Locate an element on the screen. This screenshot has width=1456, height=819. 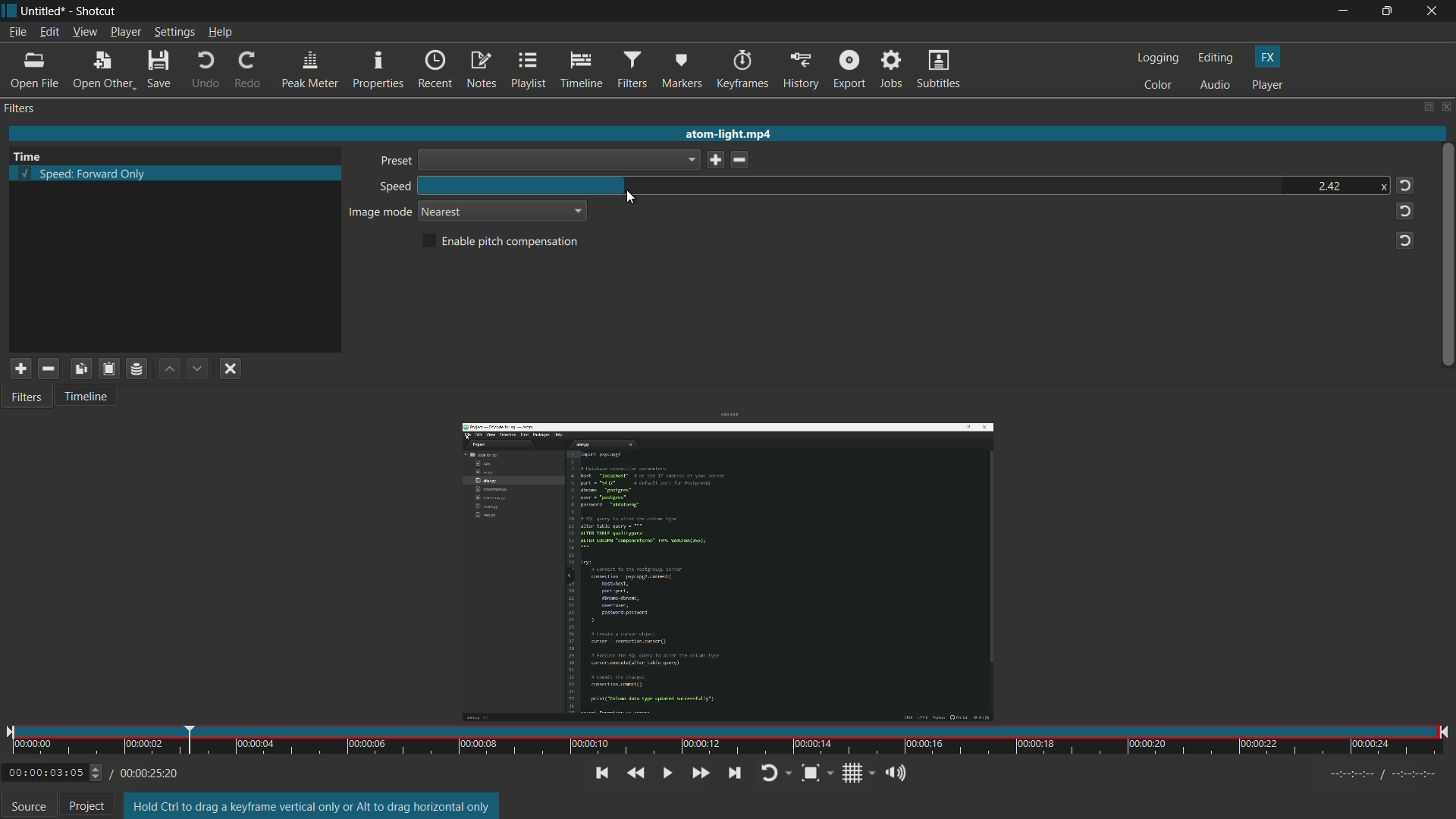
opened file is located at coordinates (724, 570).